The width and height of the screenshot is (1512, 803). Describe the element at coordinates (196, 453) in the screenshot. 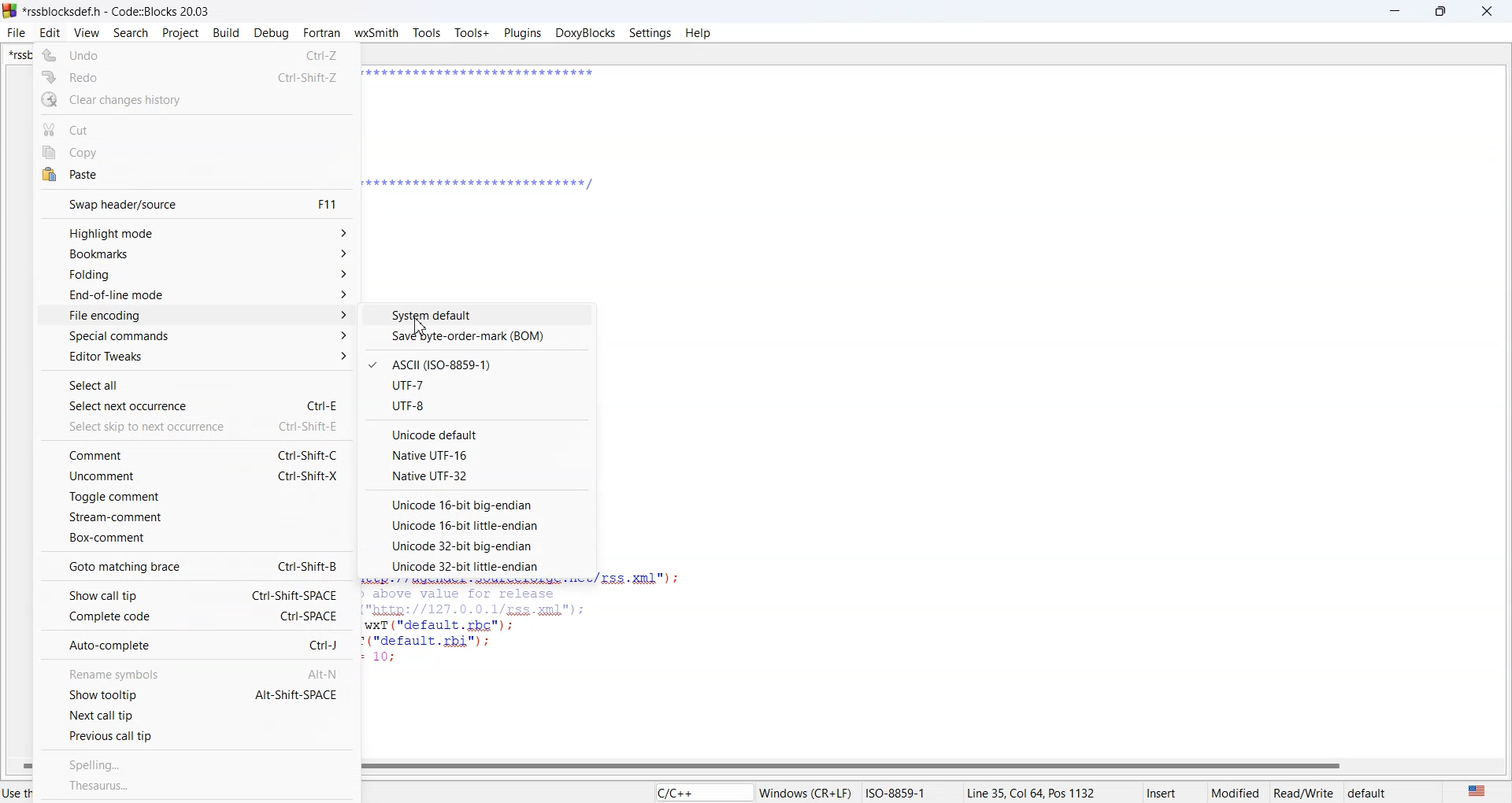

I see `Comment` at that location.